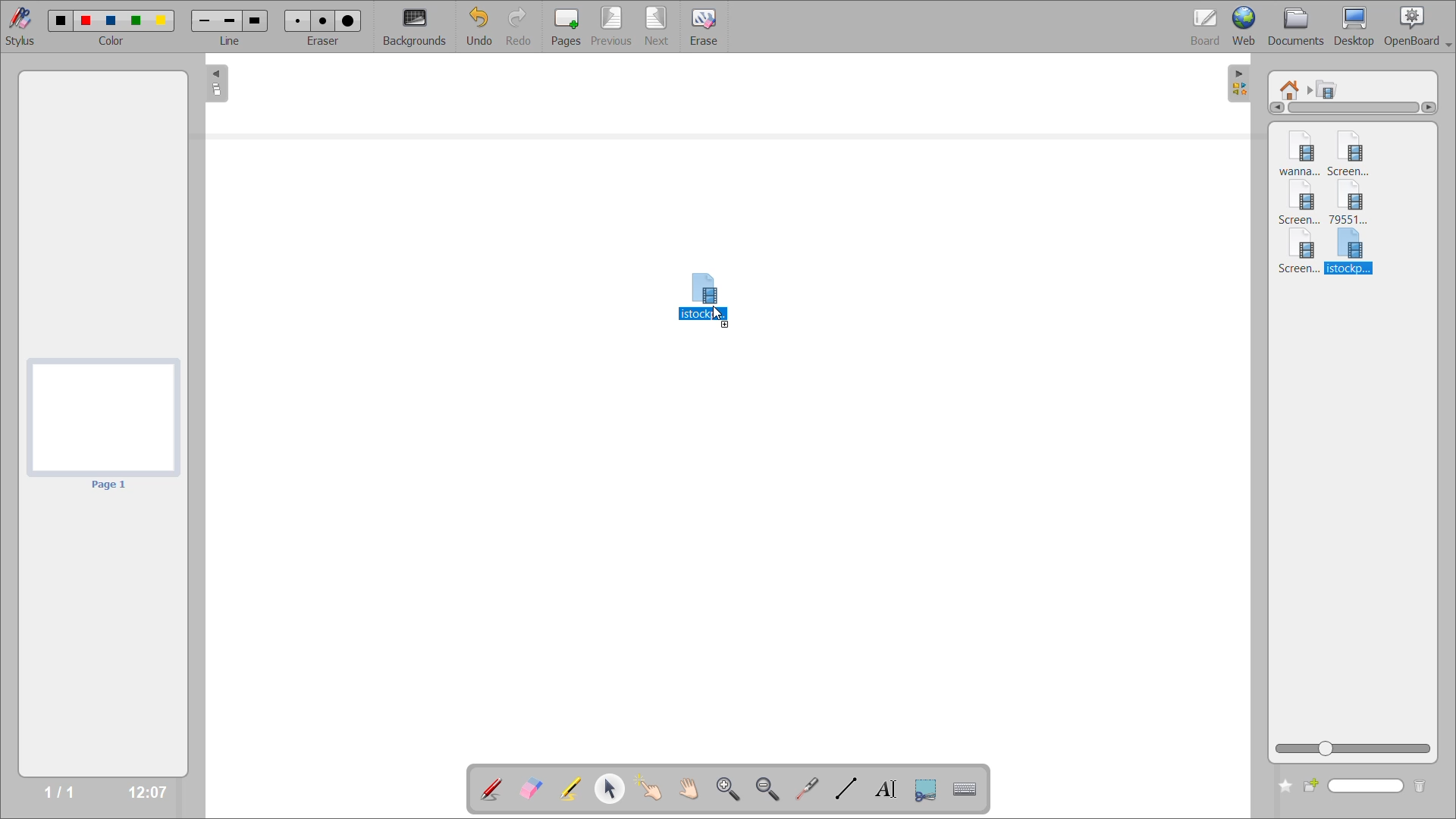 This screenshot has height=819, width=1456. Describe the element at coordinates (1296, 255) in the screenshot. I see `video 5` at that location.